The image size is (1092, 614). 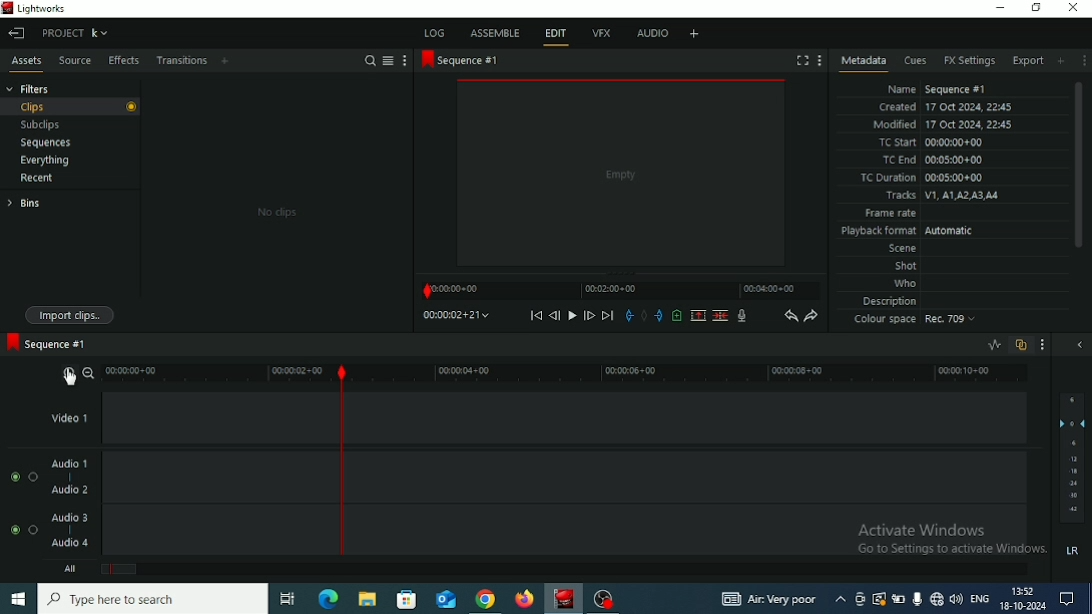 I want to click on Move forward, so click(x=608, y=317).